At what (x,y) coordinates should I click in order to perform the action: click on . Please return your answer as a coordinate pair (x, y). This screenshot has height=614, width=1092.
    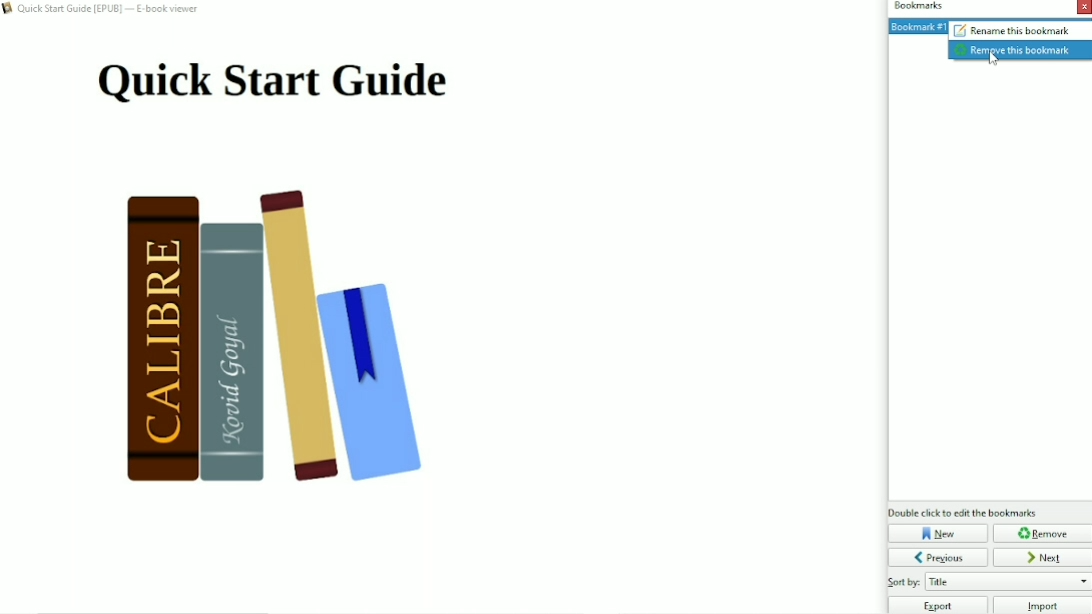
    Looking at the image, I should click on (905, 583).